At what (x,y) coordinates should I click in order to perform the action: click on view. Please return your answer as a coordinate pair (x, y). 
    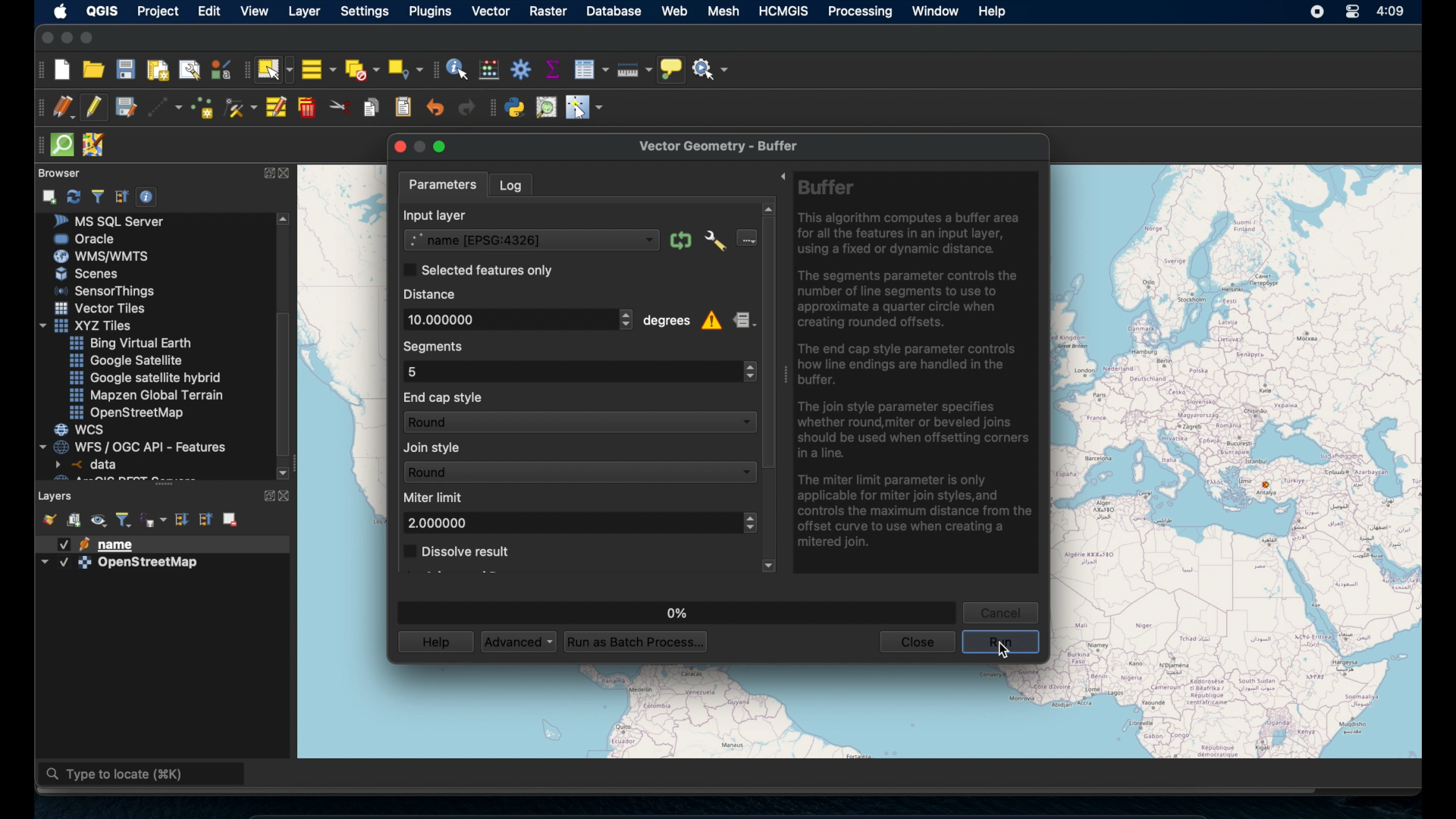
    Looking at the image, I should click on (254, 12).